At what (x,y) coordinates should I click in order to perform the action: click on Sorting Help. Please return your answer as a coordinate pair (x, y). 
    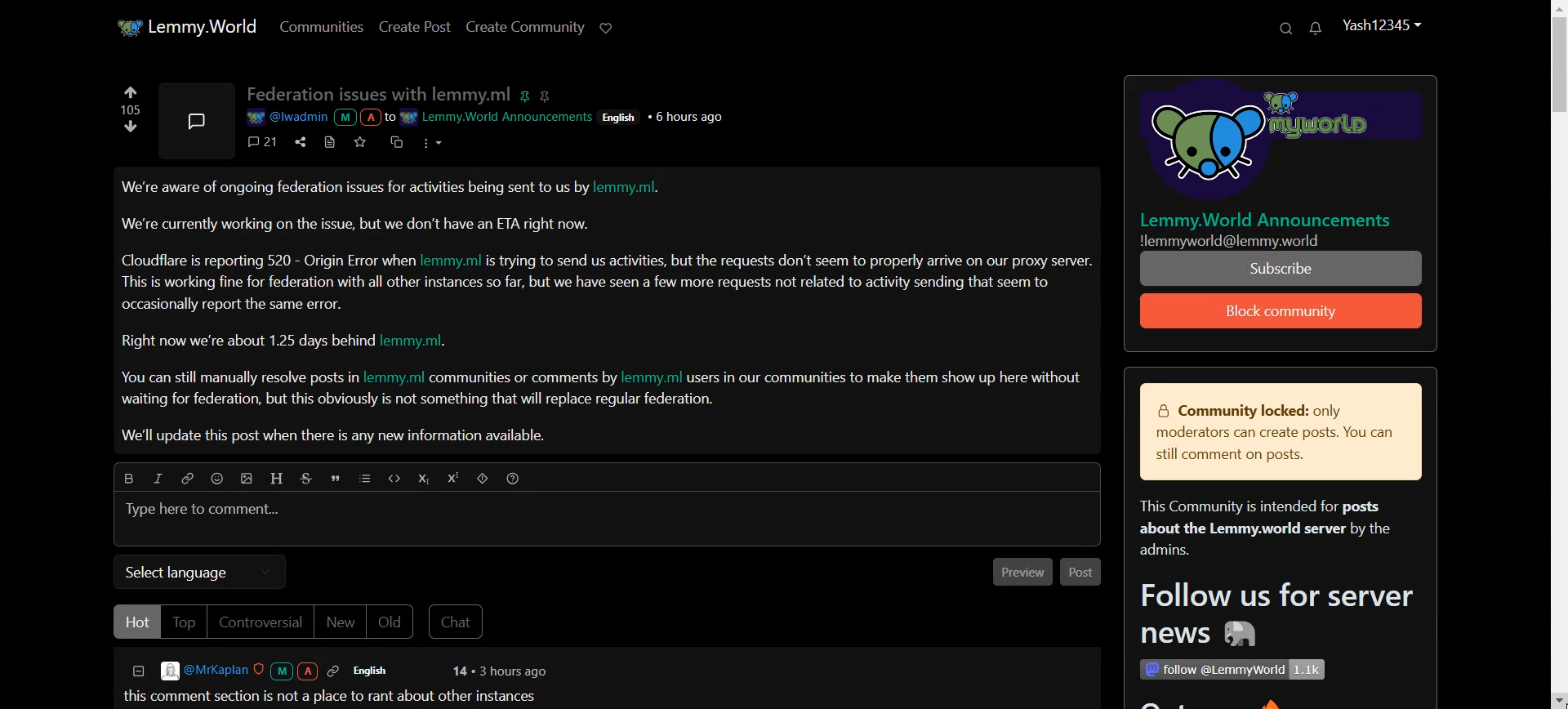
    Looking at the image, I should click on (513, 478).